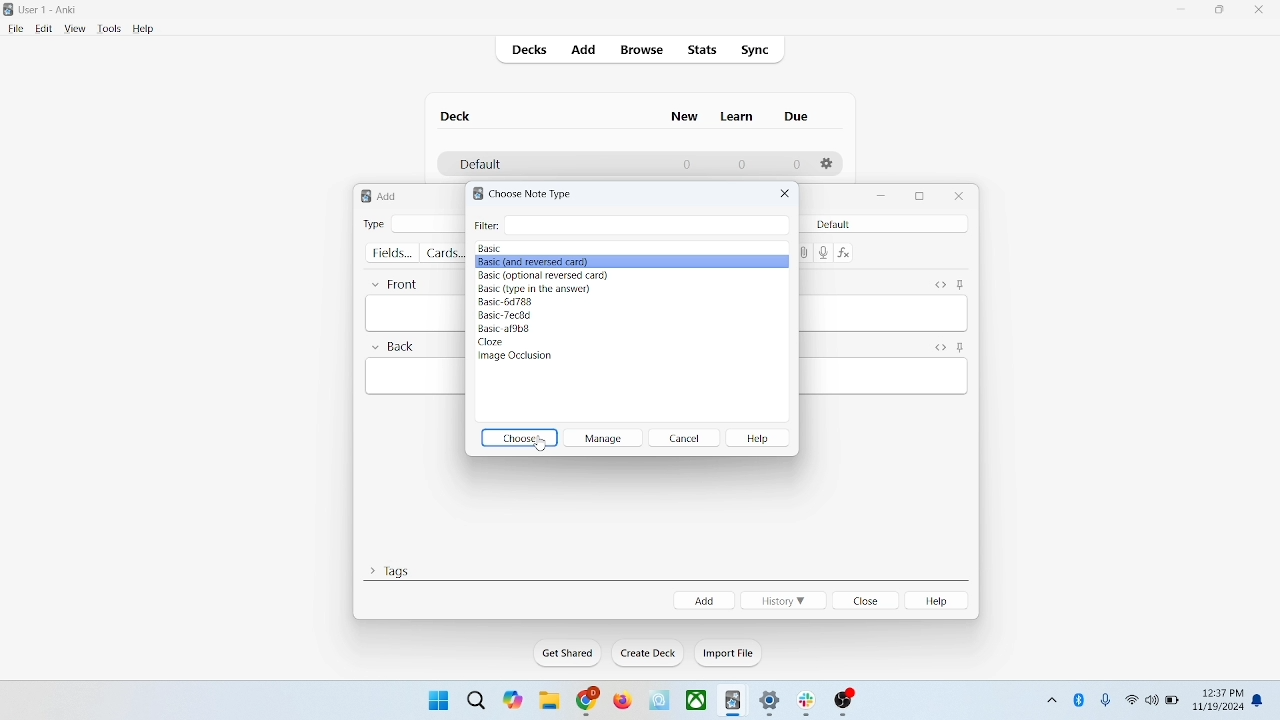  What do you see at coordinates (520, 437) in the screenshot?
I see `choose` at bounding box center [520, 437].